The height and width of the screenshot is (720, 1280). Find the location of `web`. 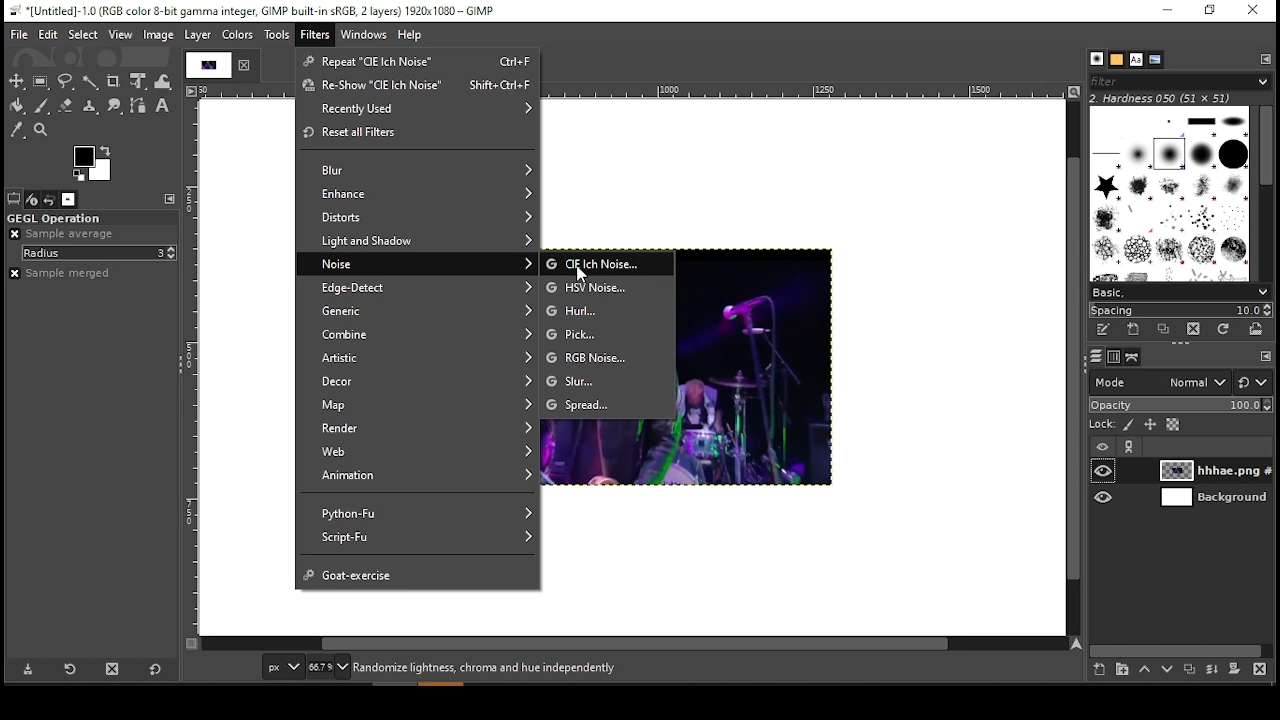

web is located at coordinates (421, 452).